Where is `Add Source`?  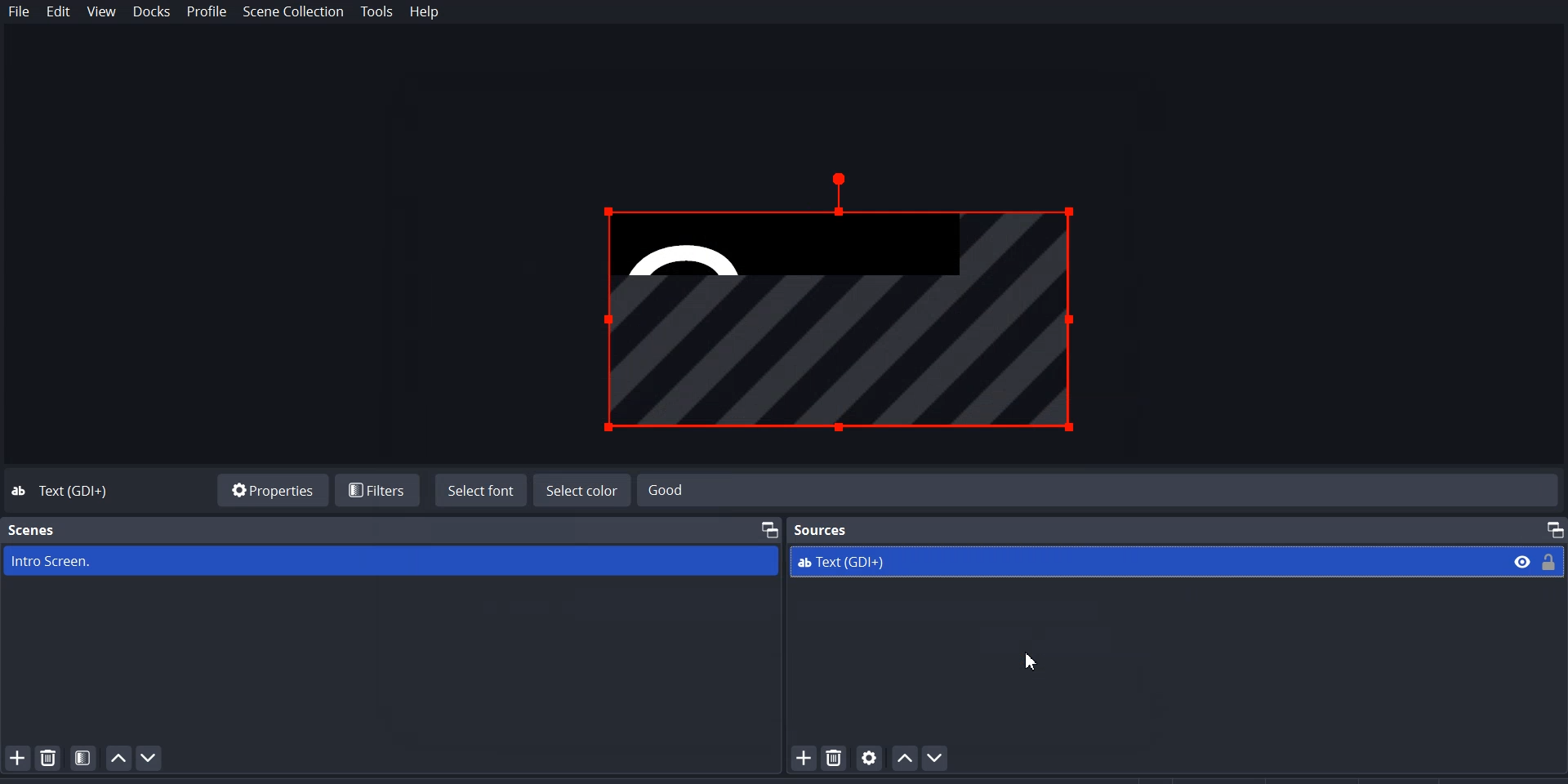 Add Source is located at coordinates (804, 757).